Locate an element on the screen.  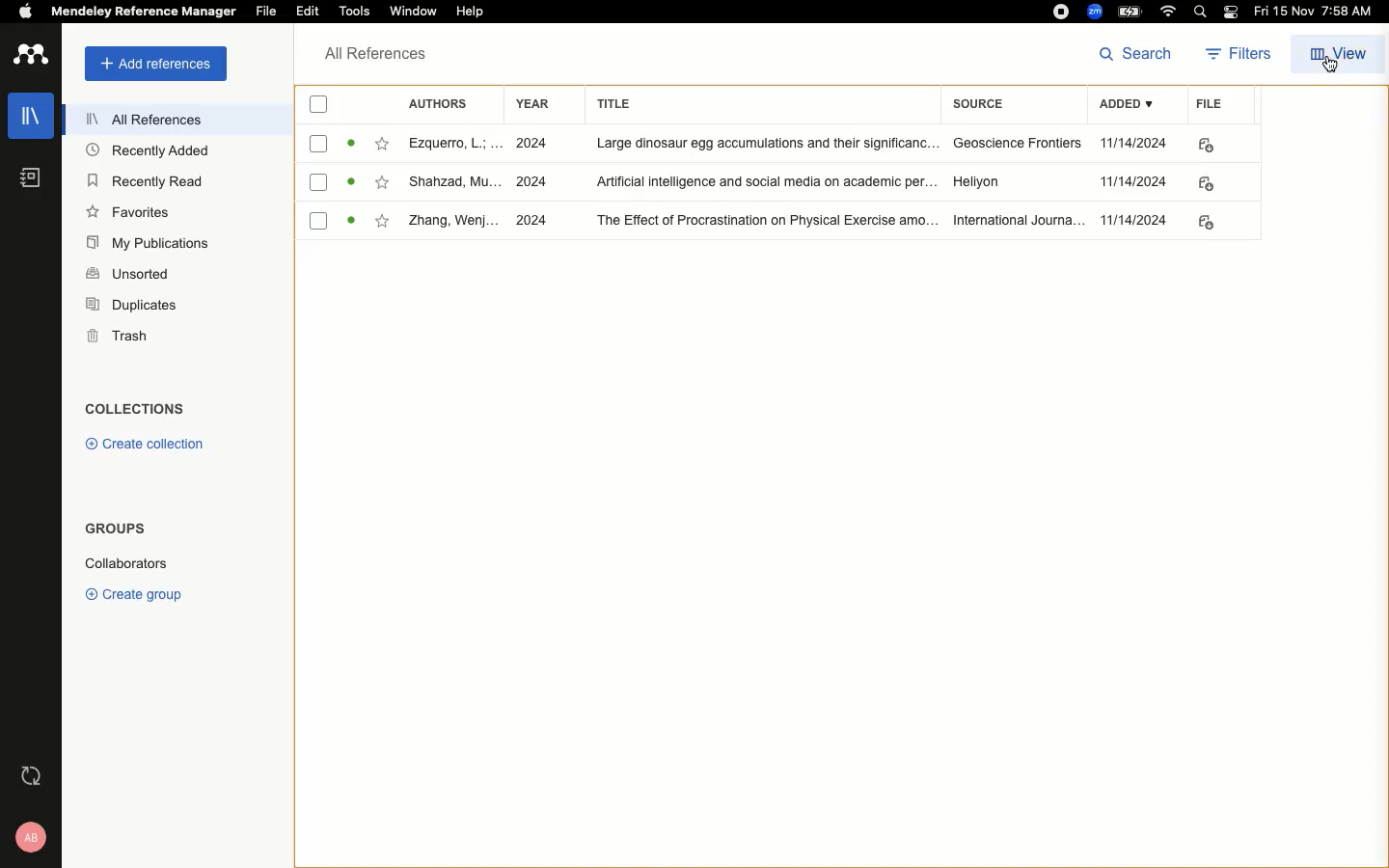
All references is located at coordinates (134, 119).